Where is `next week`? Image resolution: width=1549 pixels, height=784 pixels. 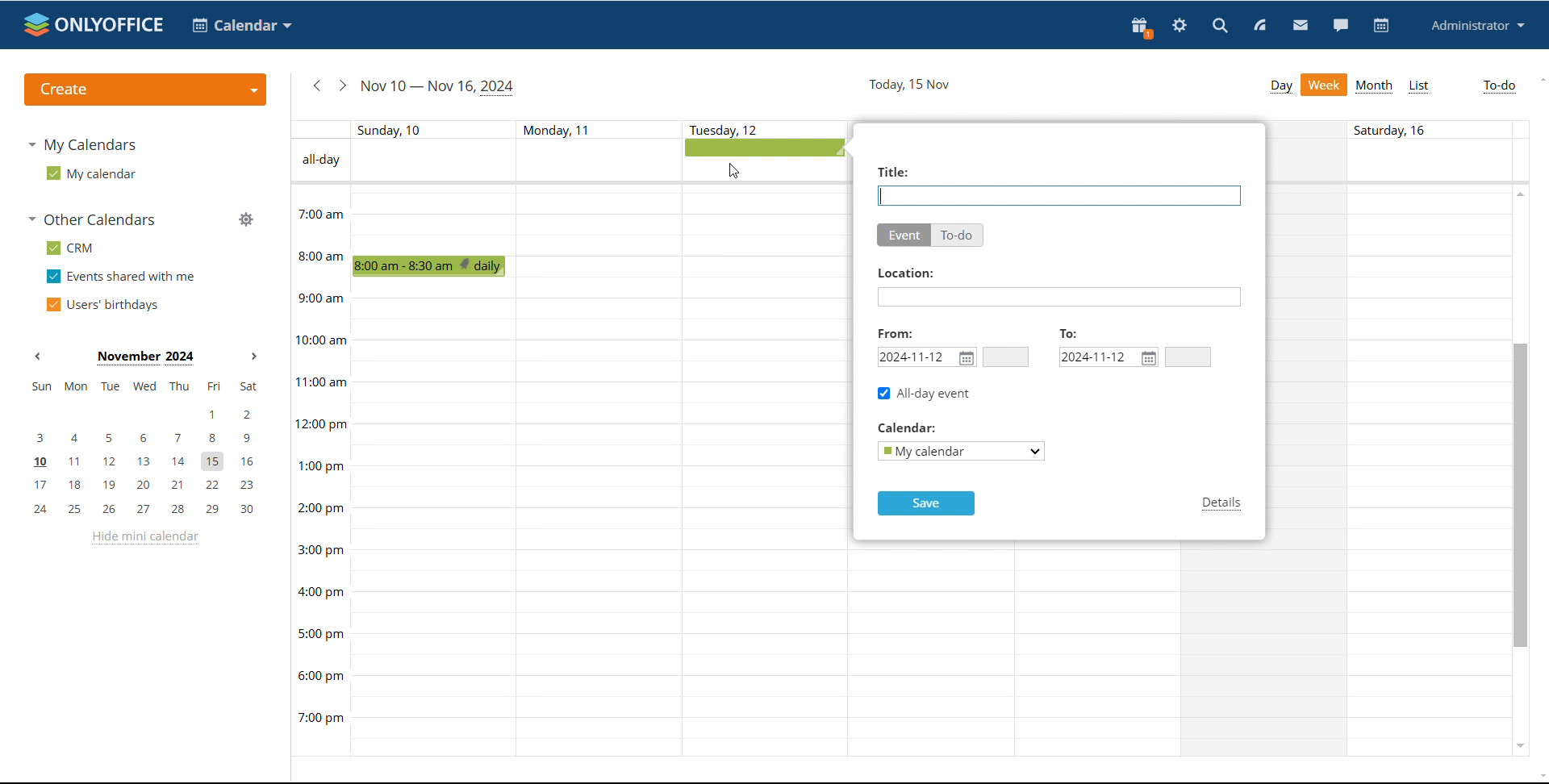
next week is located at coordinates (341, 86).